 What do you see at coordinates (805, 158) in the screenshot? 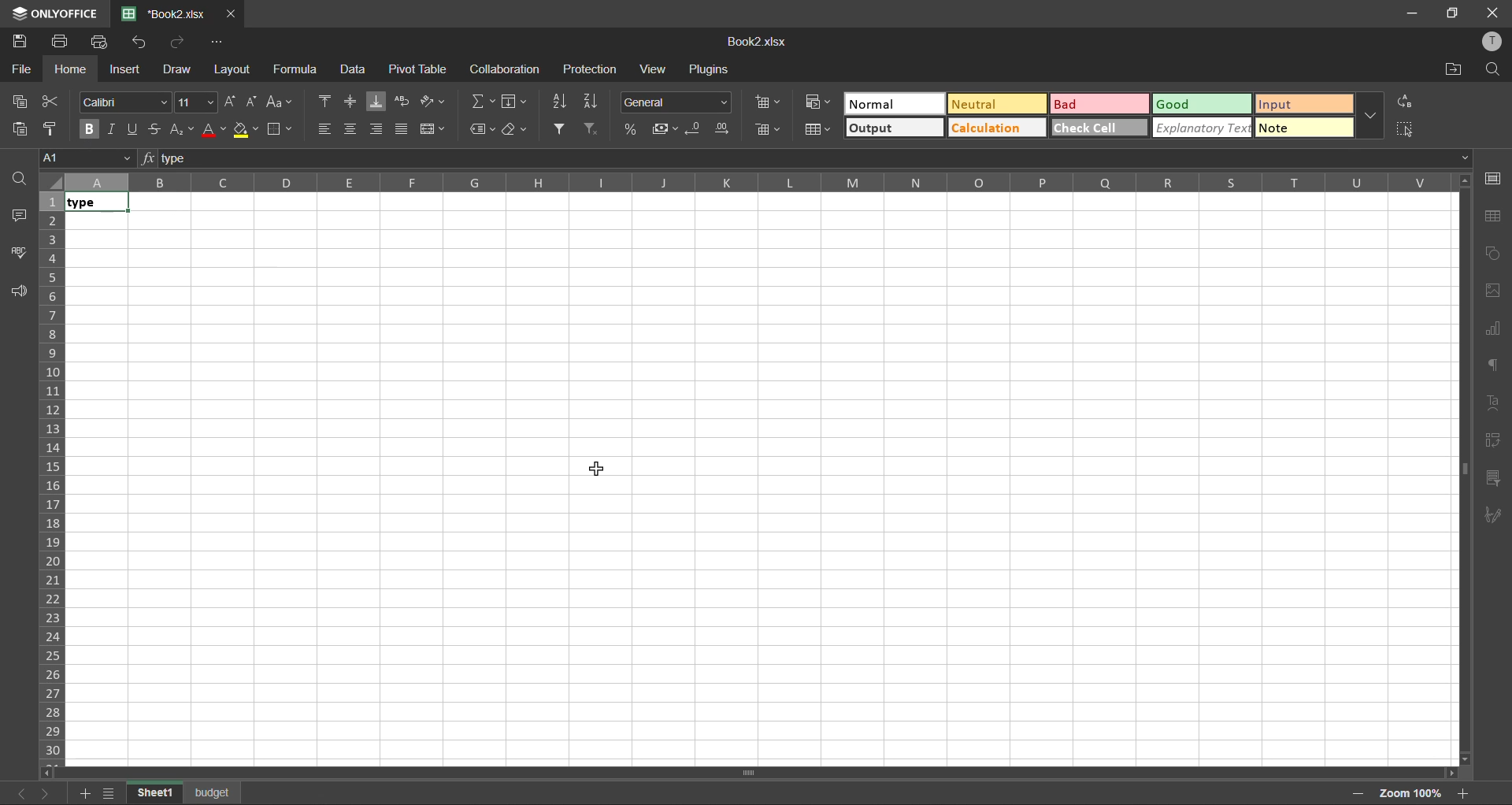
I see `formula bar` at bounding box center [805, 158].